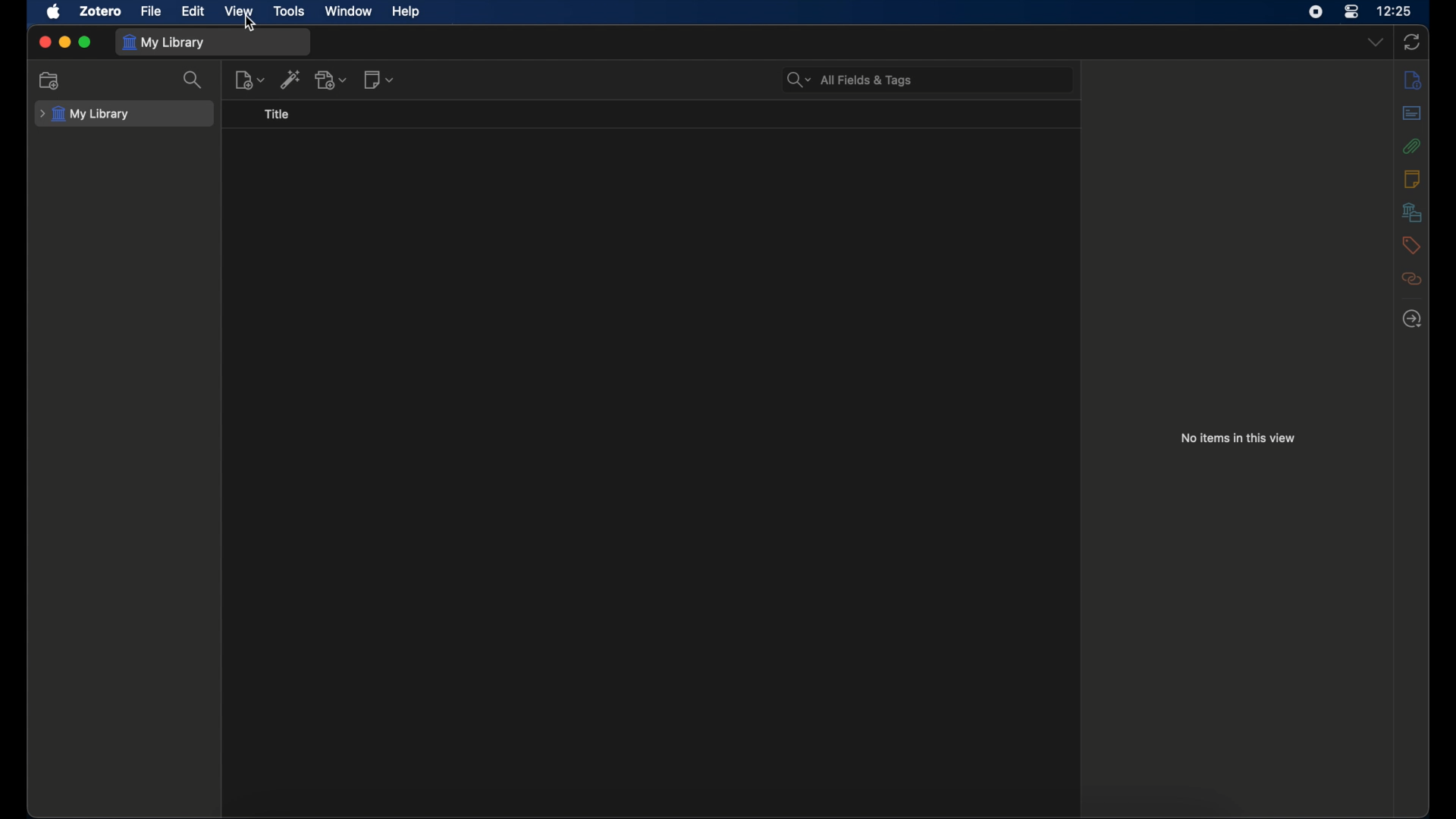  I want to click on my library, so click(165, 42).